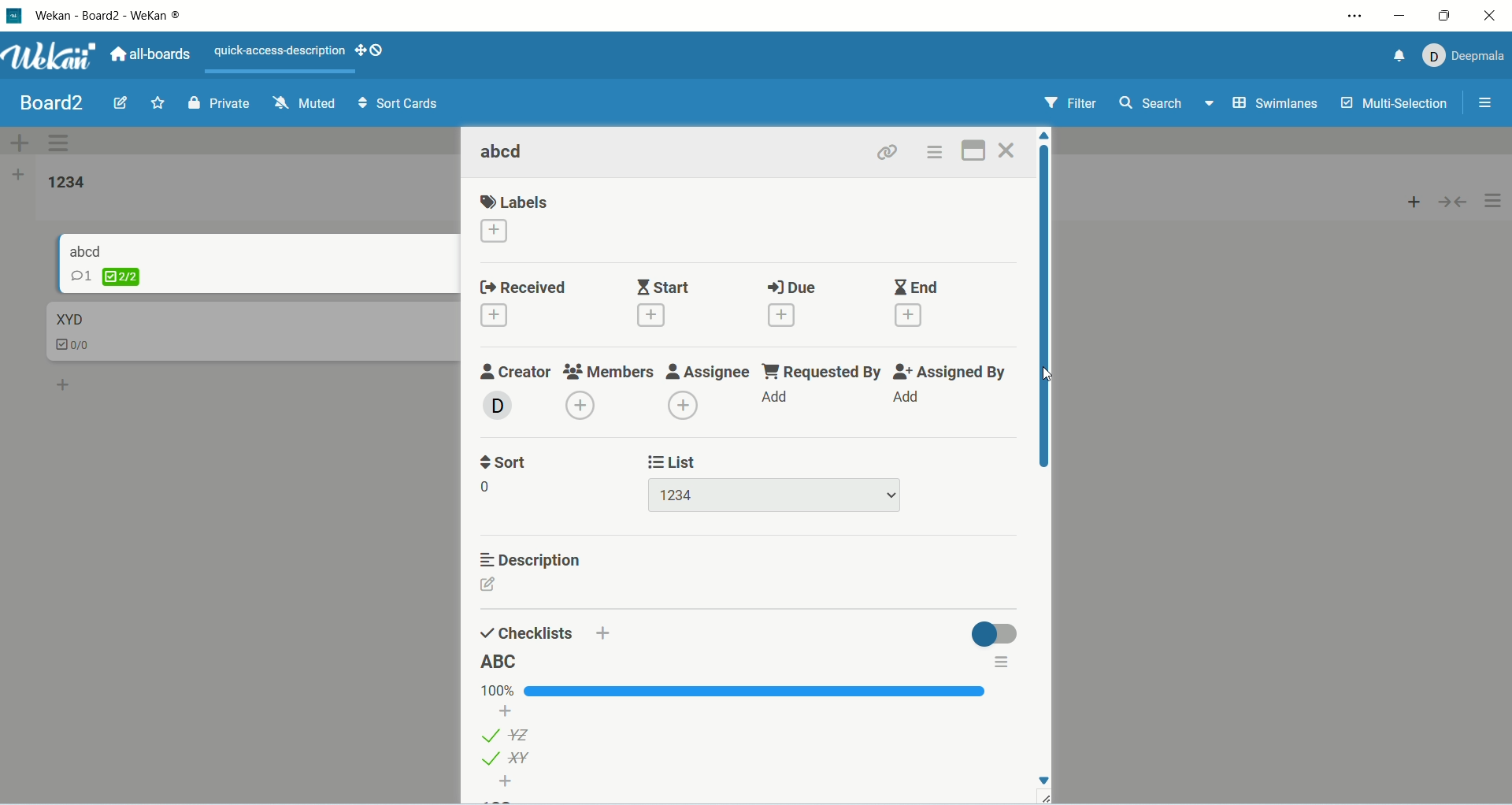 The width and height of the screenshot is (1512, 805). I want to click on add, so click(777, 395).